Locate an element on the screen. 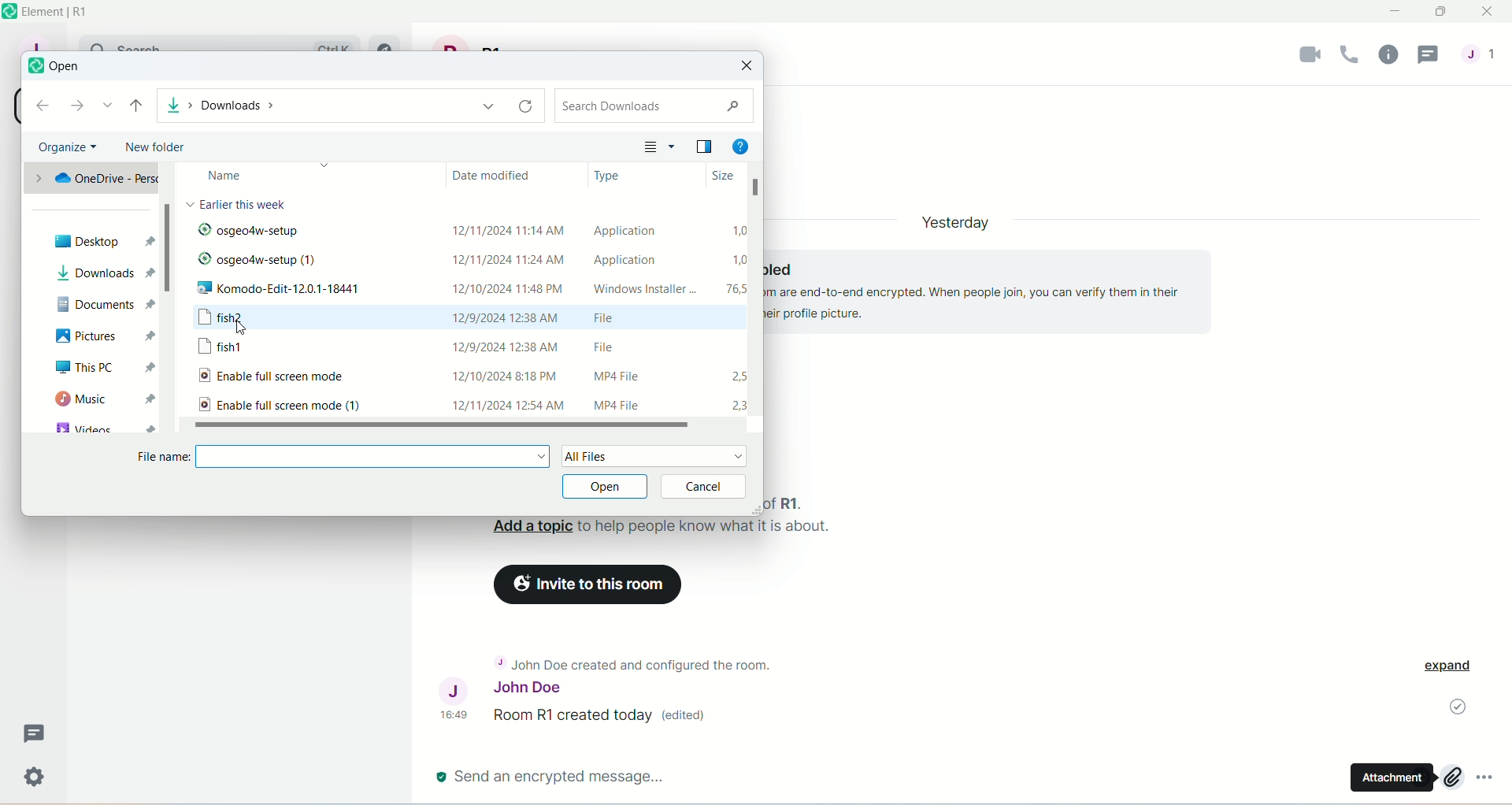 This screenshot has width=1512, height=805. maximize is located at coordinates (1443, 15).